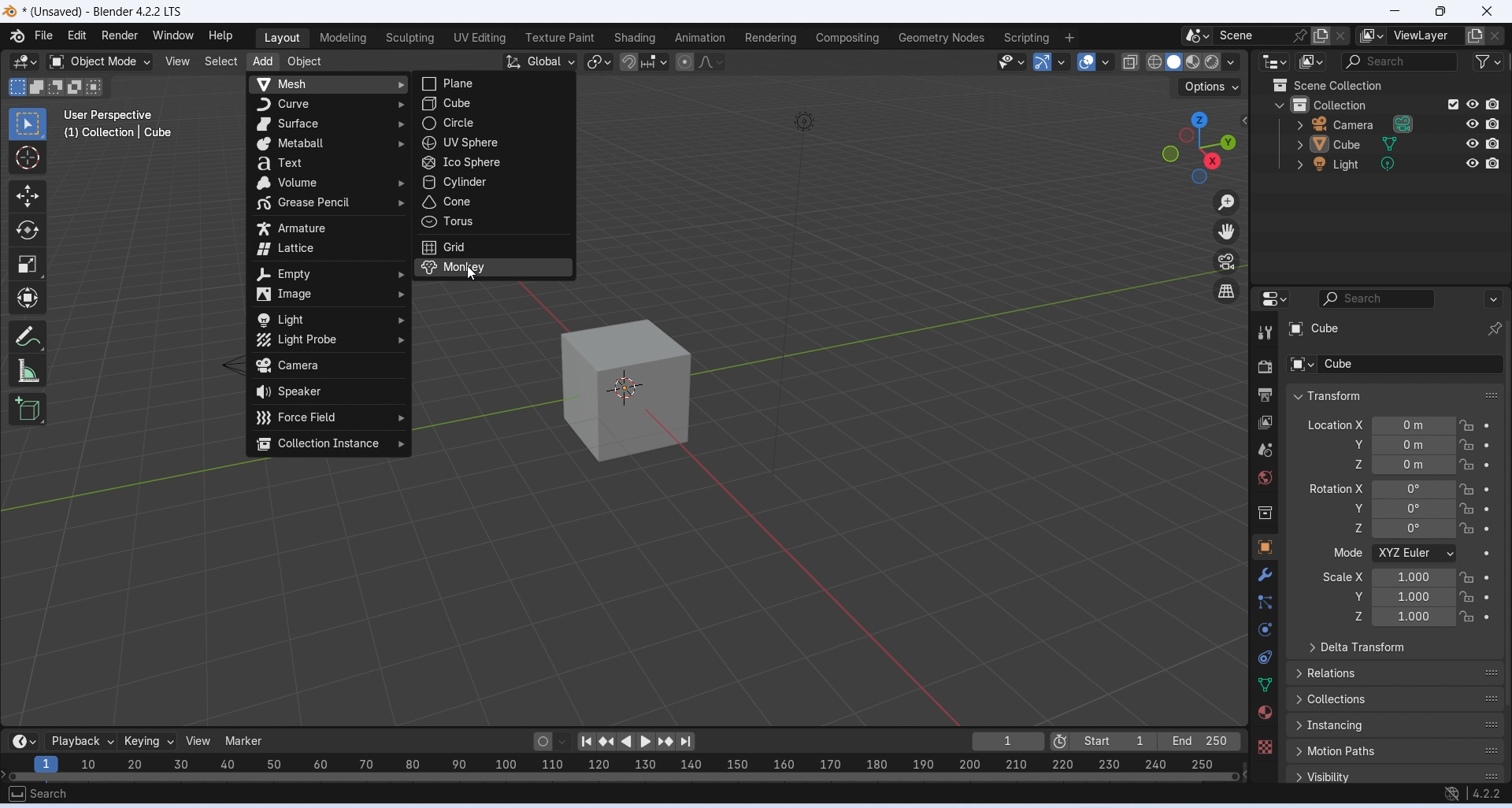 This screenshot has height=808, width=1512. Describe the element at coordinates (1086, 61) in the screenshot. I see `show overlay` at that location.